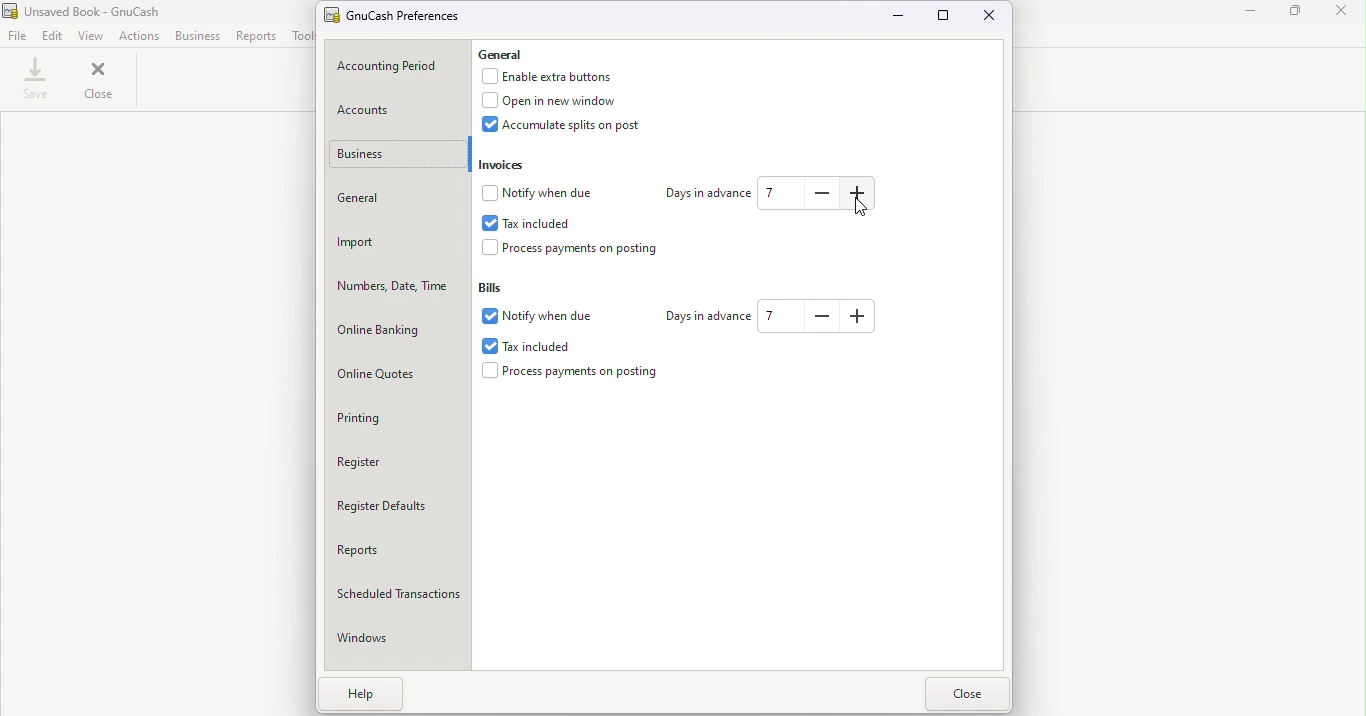 The height and width of the screenshot is (716, 1366). Describe the element at coordinates (401, 463) in the screenshot. I see `Register` at that location.